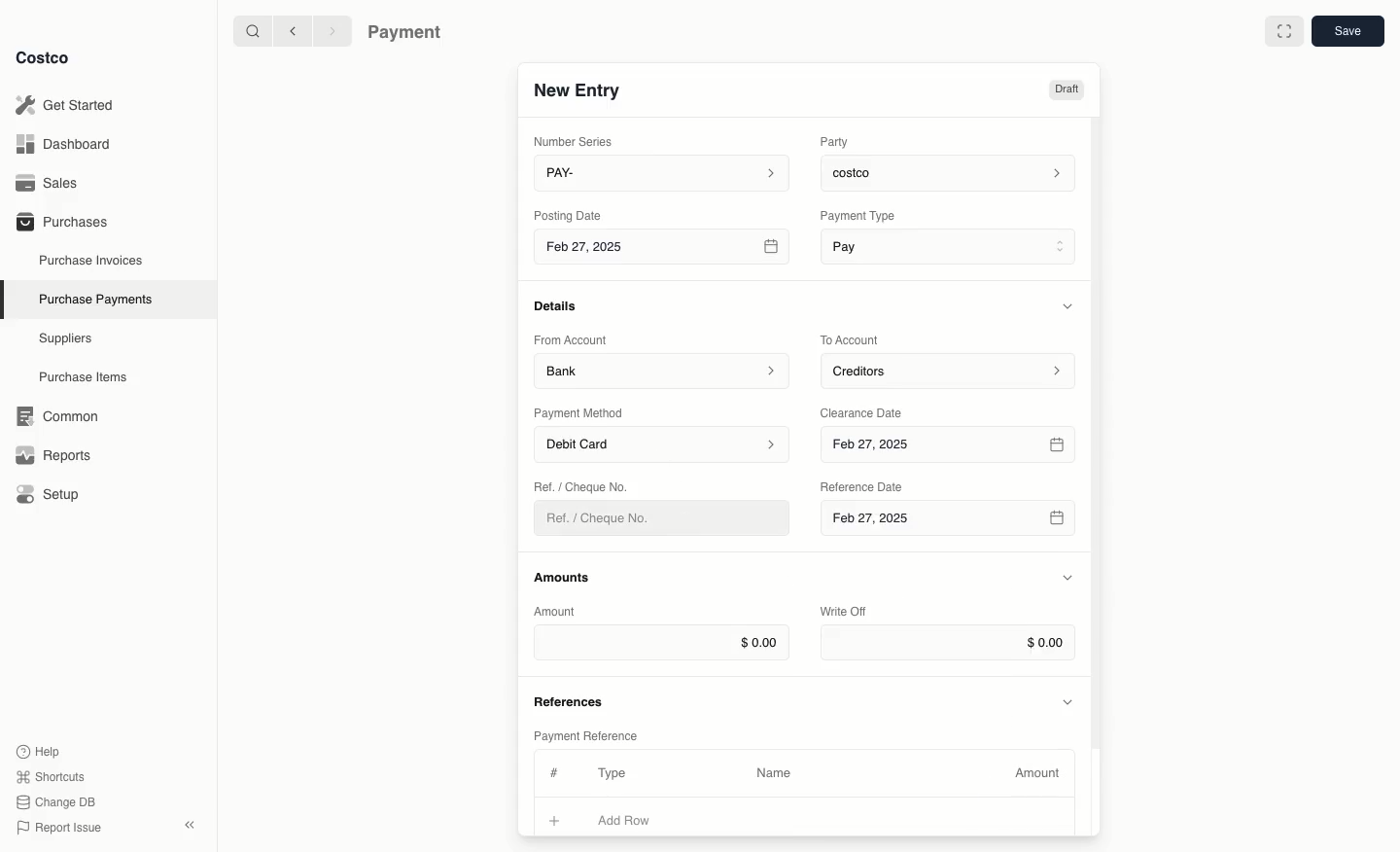 This screenshot has width=1400, height=852. I want to click on Feb 27, 2025, so click(664, 250).